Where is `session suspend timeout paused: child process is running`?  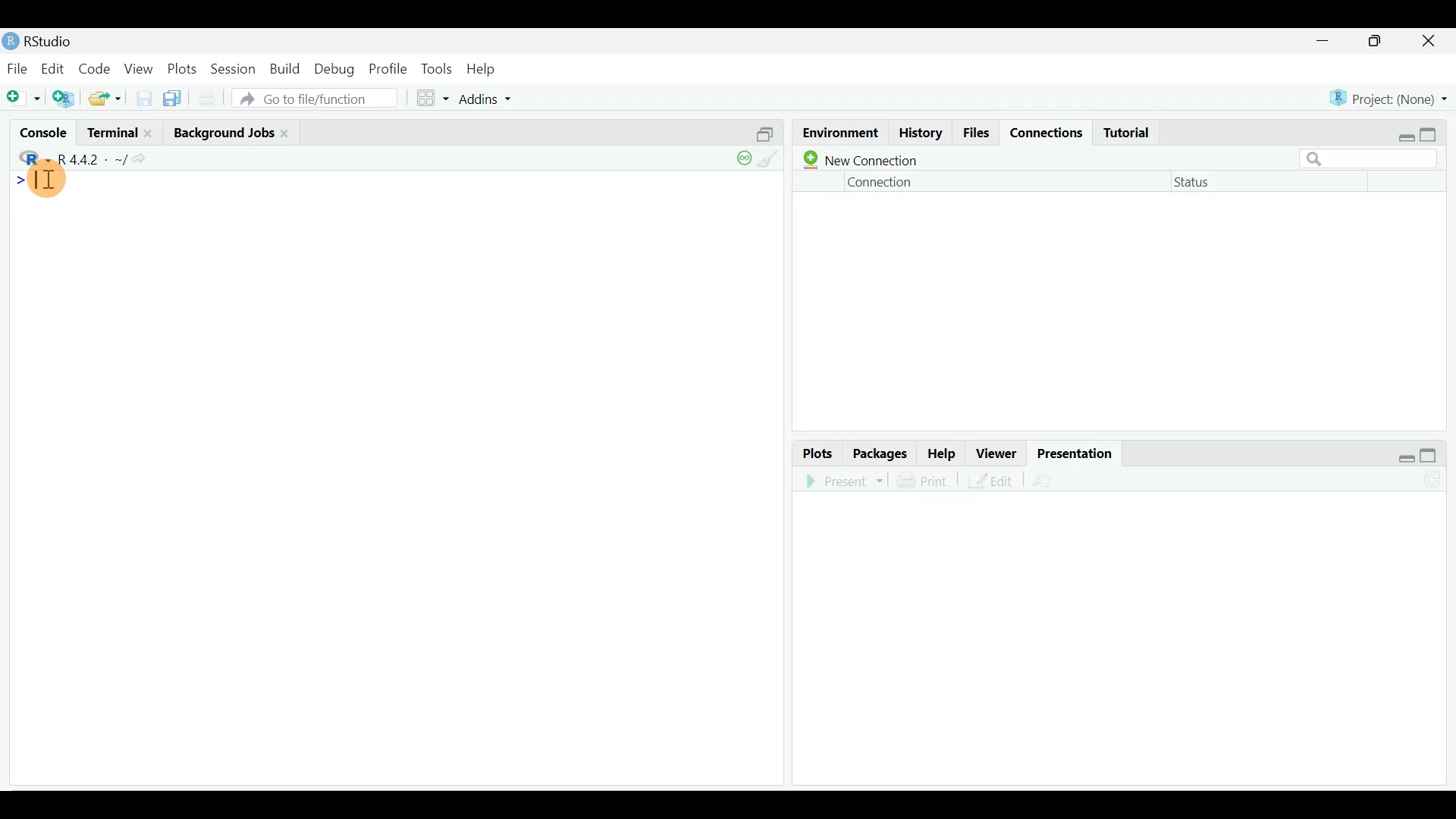 session suspend timeout paused: child process is running is located at coordinates (740, 165).